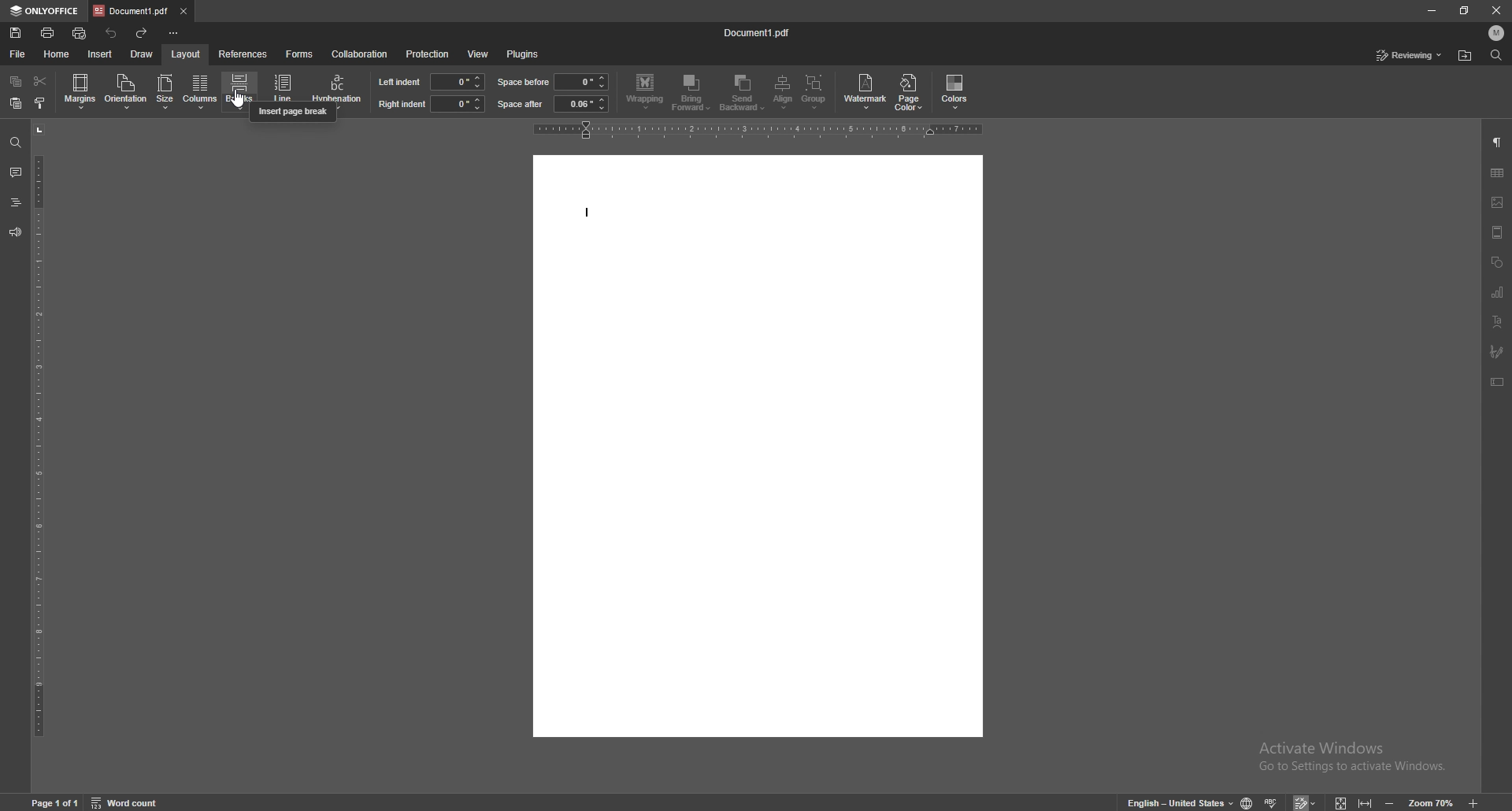  What do you see at coordinates (242, 101) in the screenshot?
I see `cursor` at bounding box center [242, 101].